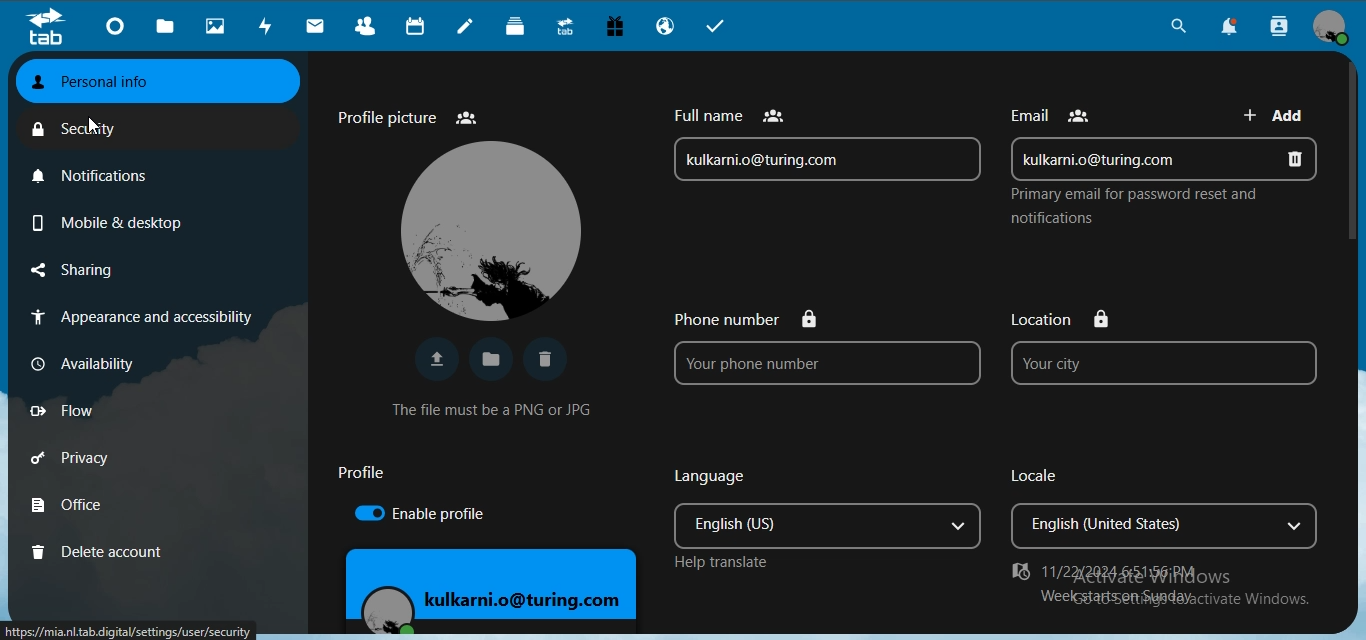 Image resolution: width=1366 pixels, height=640 pixels. Describe the element at coordinates (101, 127) in the screenshot. I see `cursor` at that location.